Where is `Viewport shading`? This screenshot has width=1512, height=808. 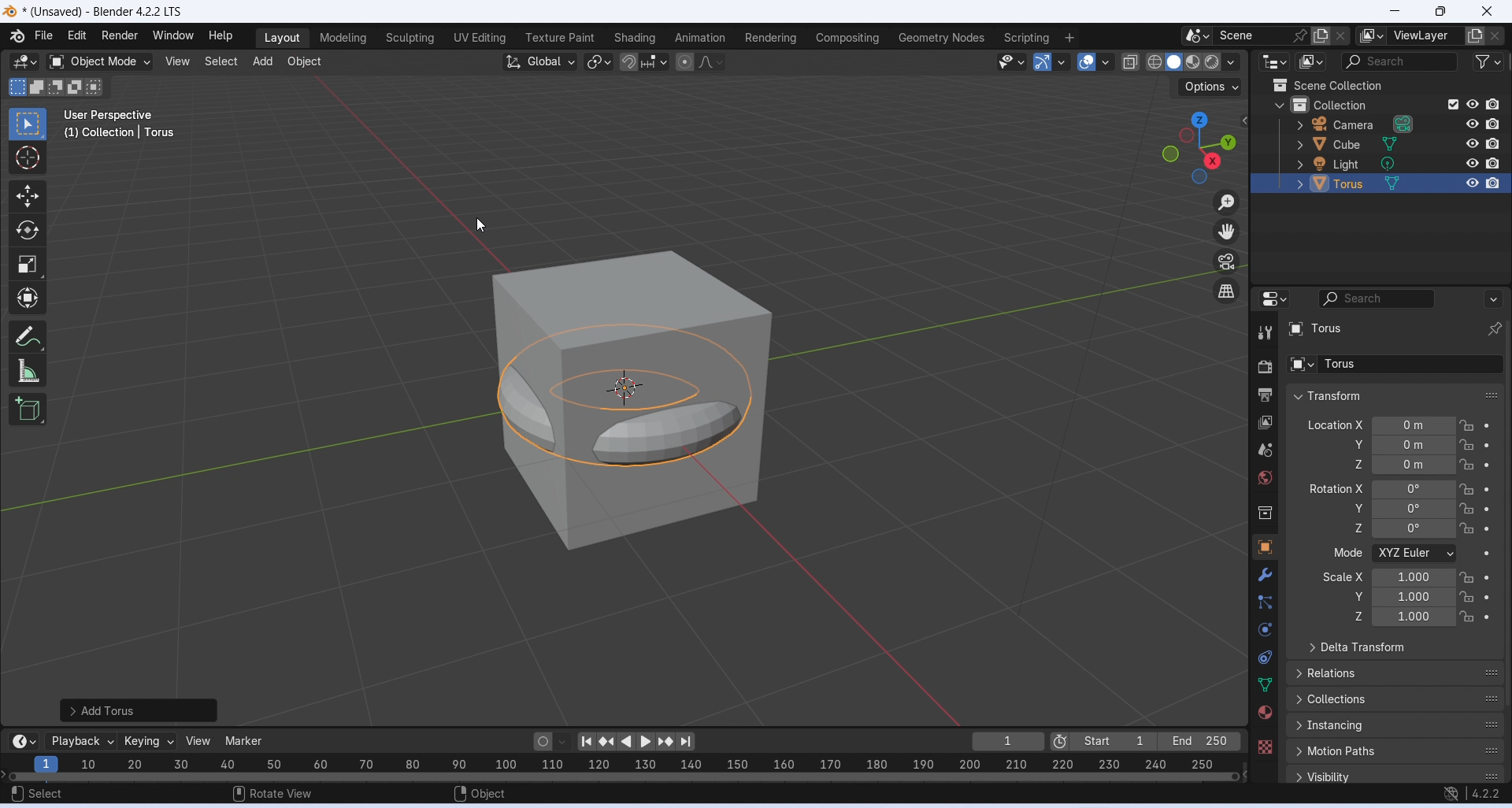 Viewport shading is located at coordinates (1184, 61).